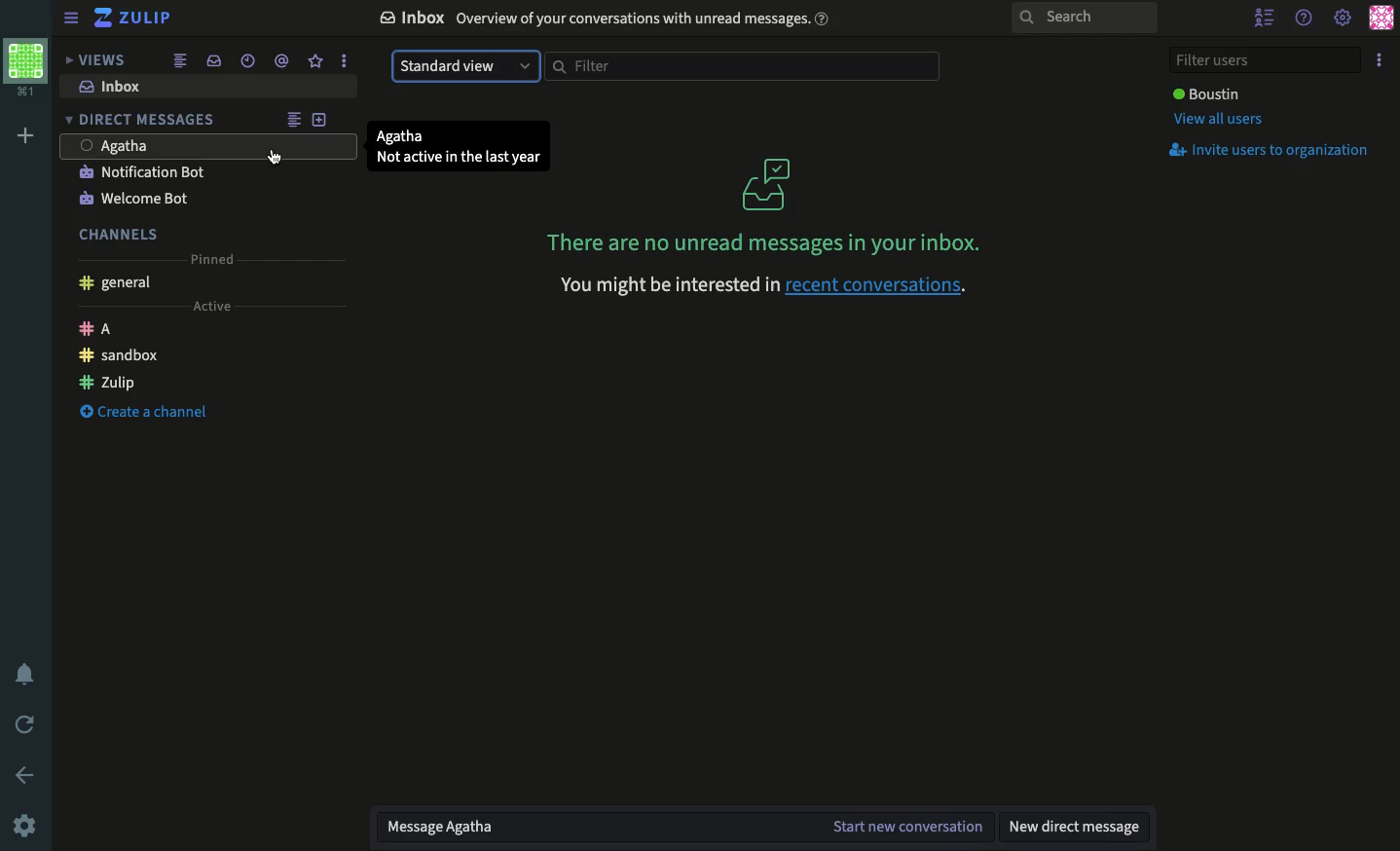 The height and width of the screenshot is (851, 1400). Describe the element at coordinates (1306, 18) in the screenshot. I see `Help` at that location.